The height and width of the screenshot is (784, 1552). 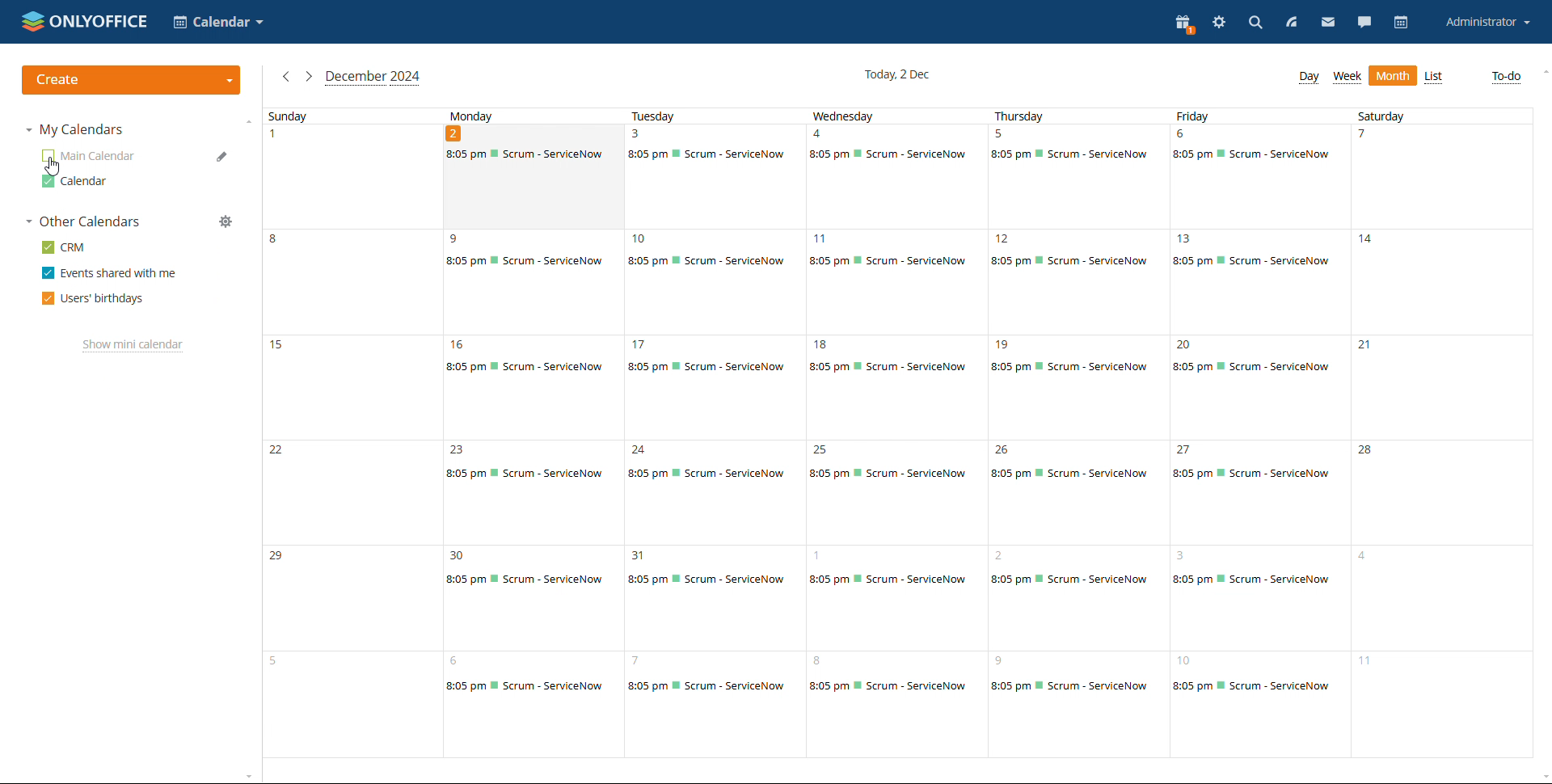 What do you see at coordinates (1263, 432) in the screenshot?
I see `friday` at bounding box center [1263, 432].